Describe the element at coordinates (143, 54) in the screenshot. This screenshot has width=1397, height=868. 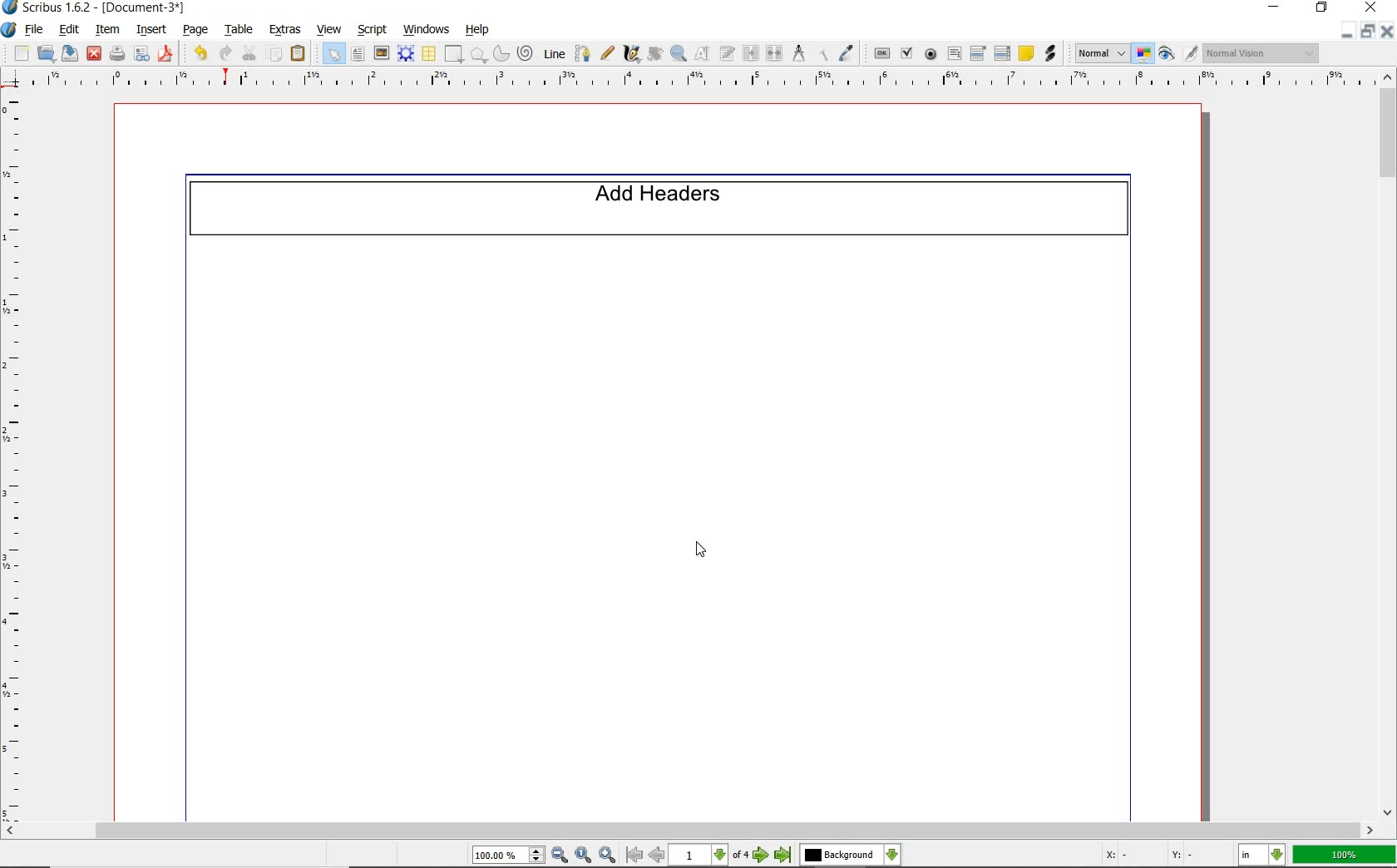
I see `preflight verifier` at that location.